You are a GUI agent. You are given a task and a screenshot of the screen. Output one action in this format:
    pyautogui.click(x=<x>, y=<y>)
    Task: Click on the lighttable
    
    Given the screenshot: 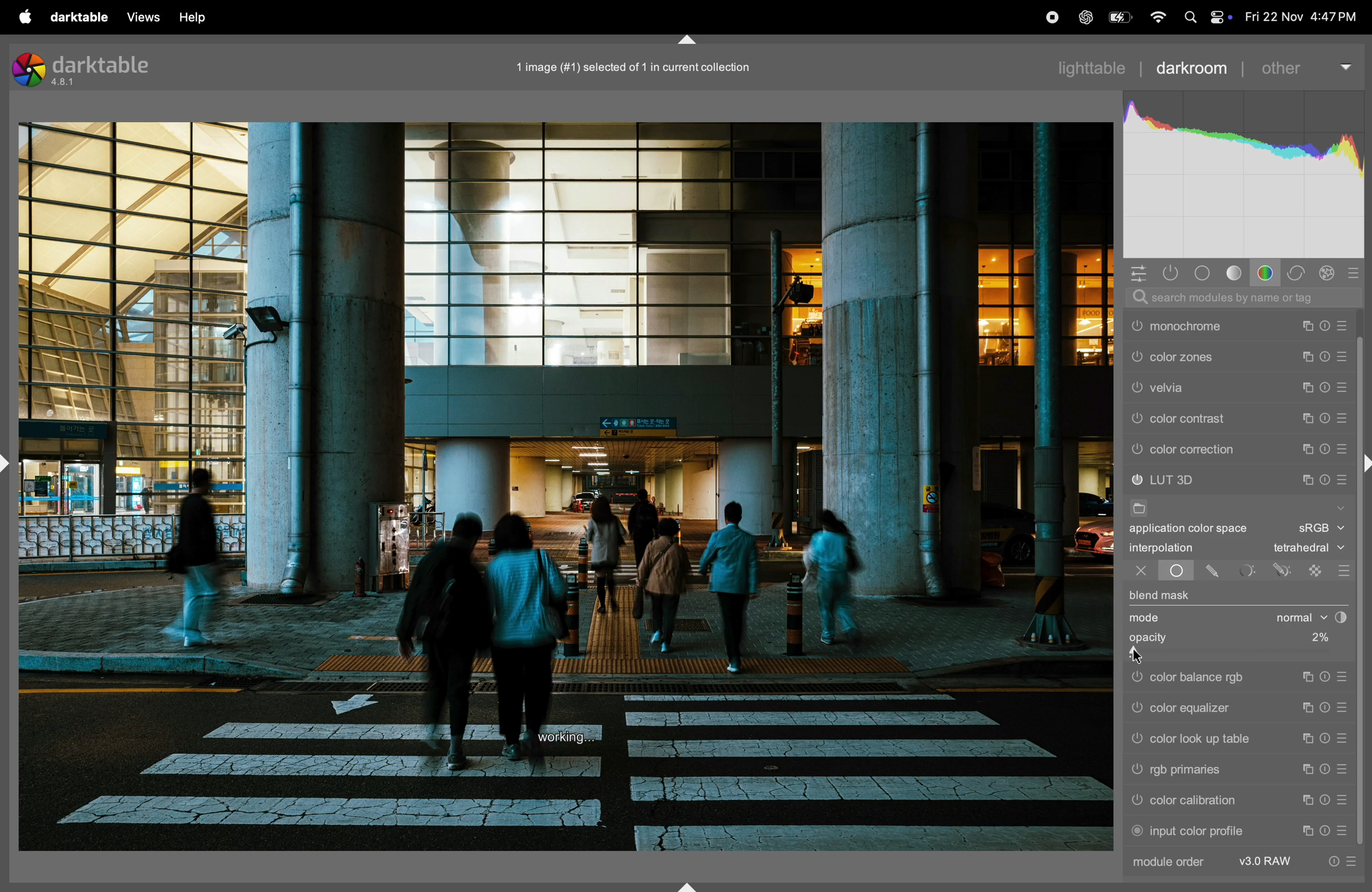 What is the action you would take?
    pyautogui.click(x=1090, y=70)
    